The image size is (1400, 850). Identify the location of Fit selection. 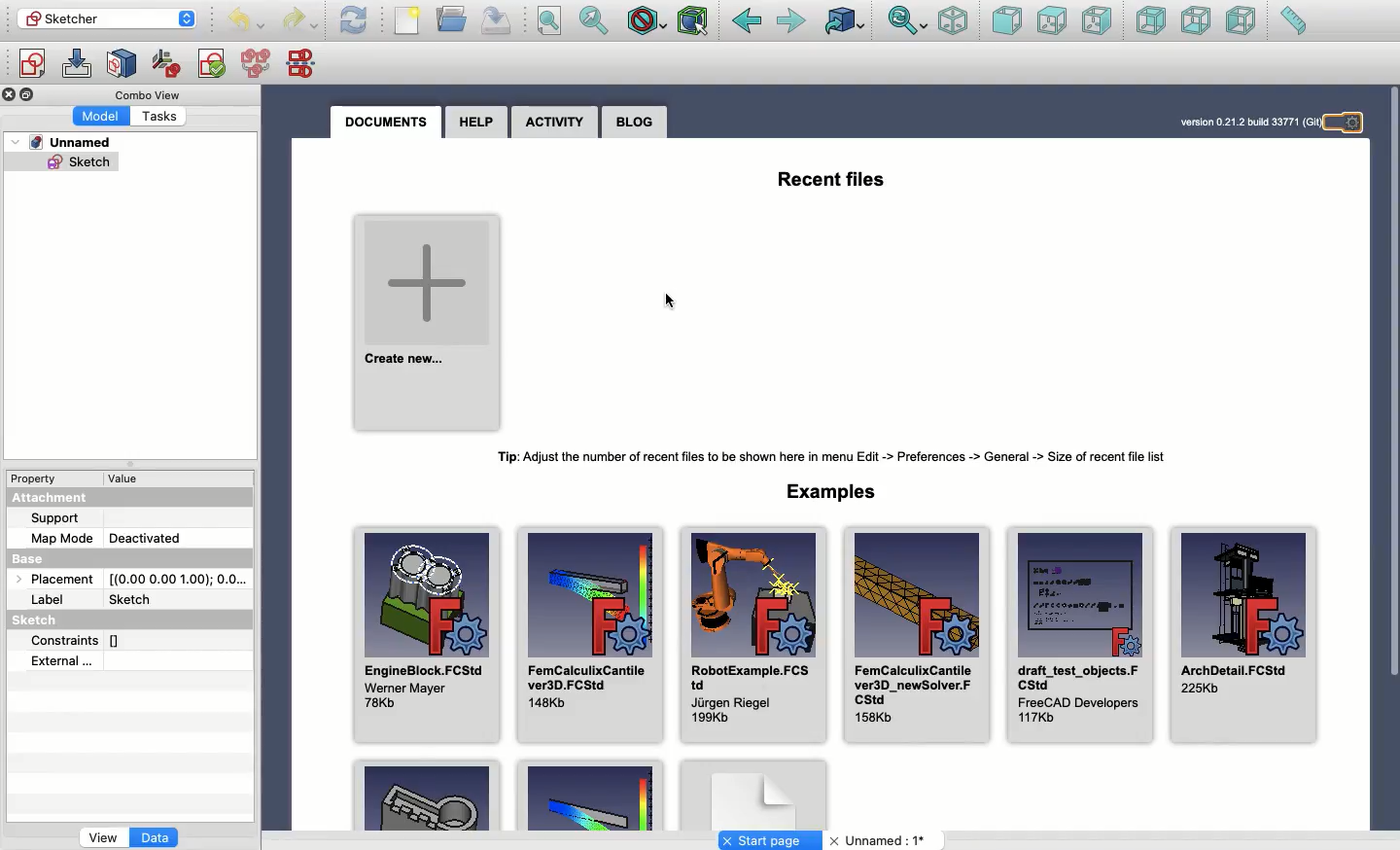
(593, 20).